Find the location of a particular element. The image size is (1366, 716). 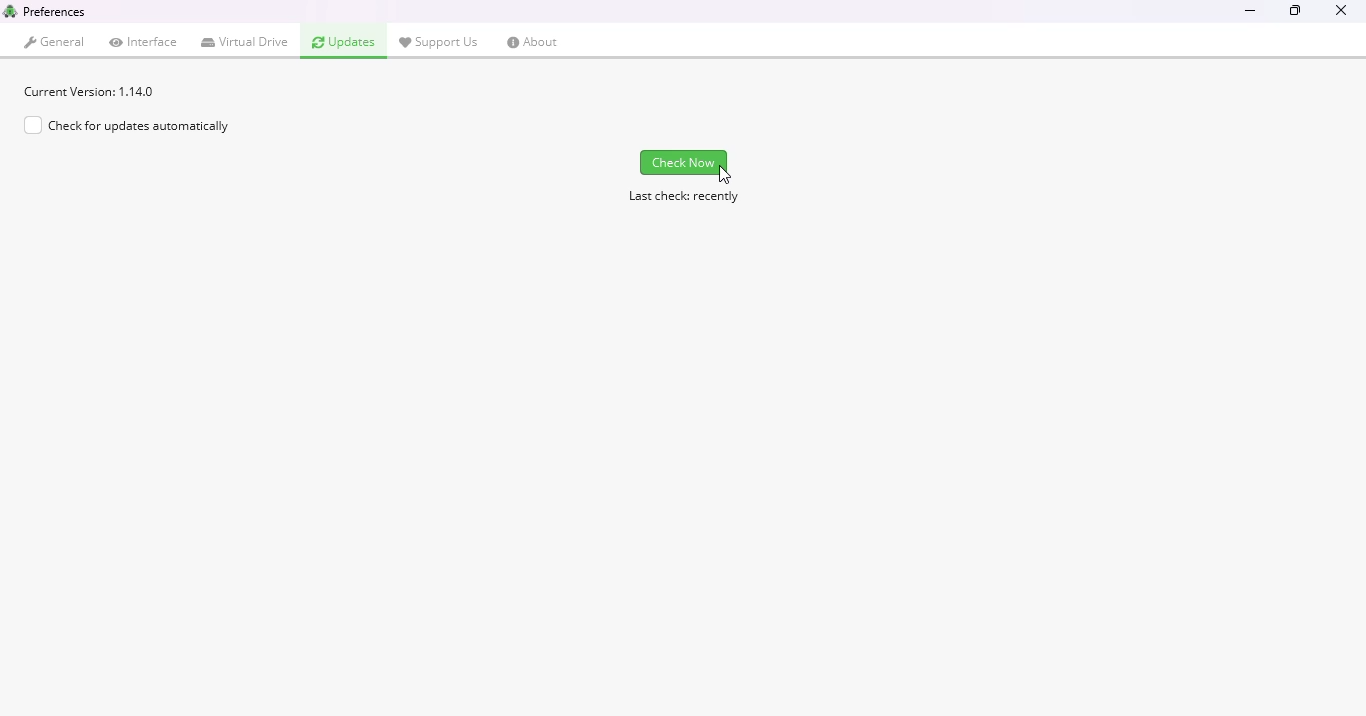

cursor is located at coordinates (726, 175).